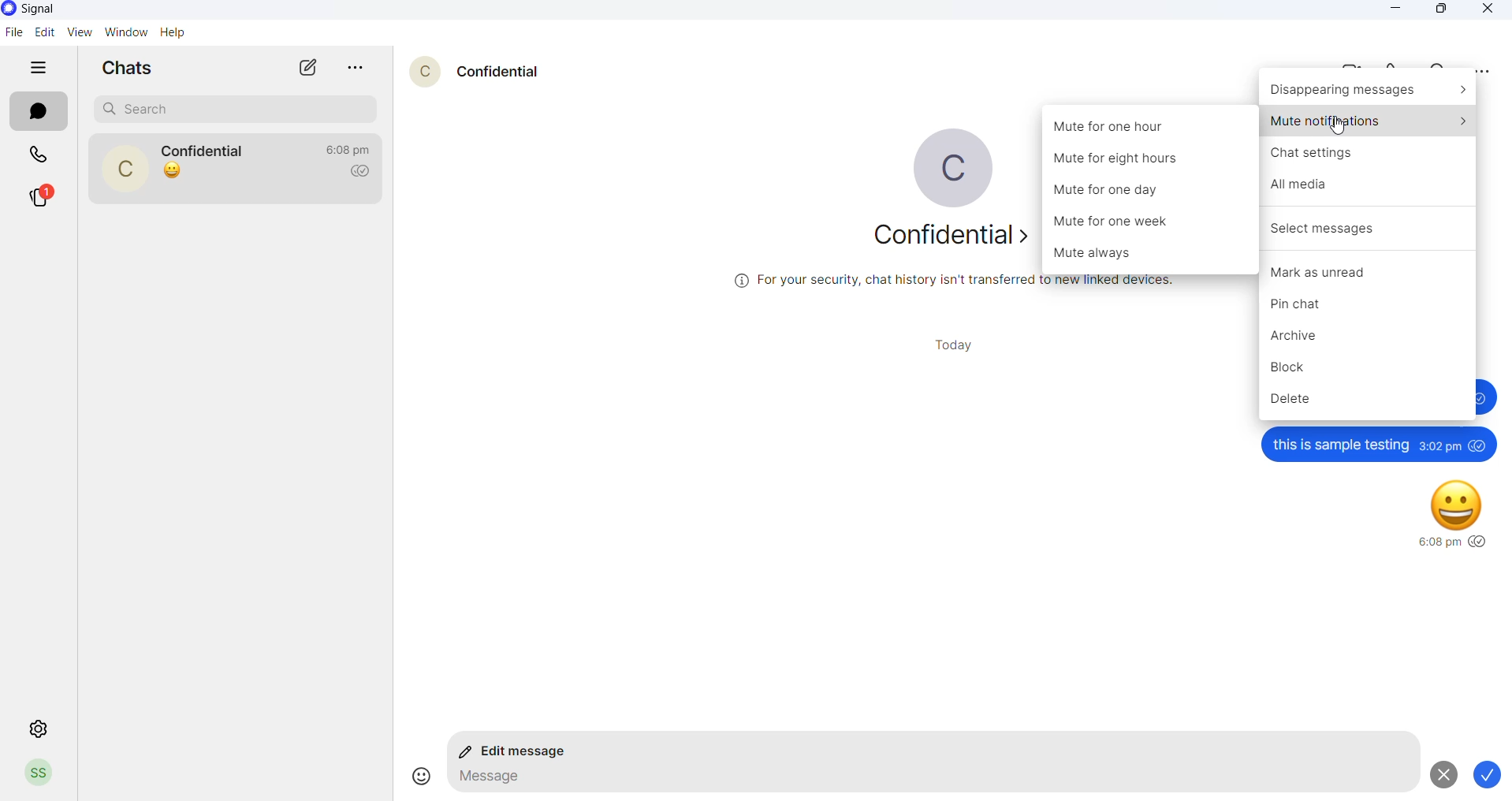  I want to click on select messages, so click(1370, 226).